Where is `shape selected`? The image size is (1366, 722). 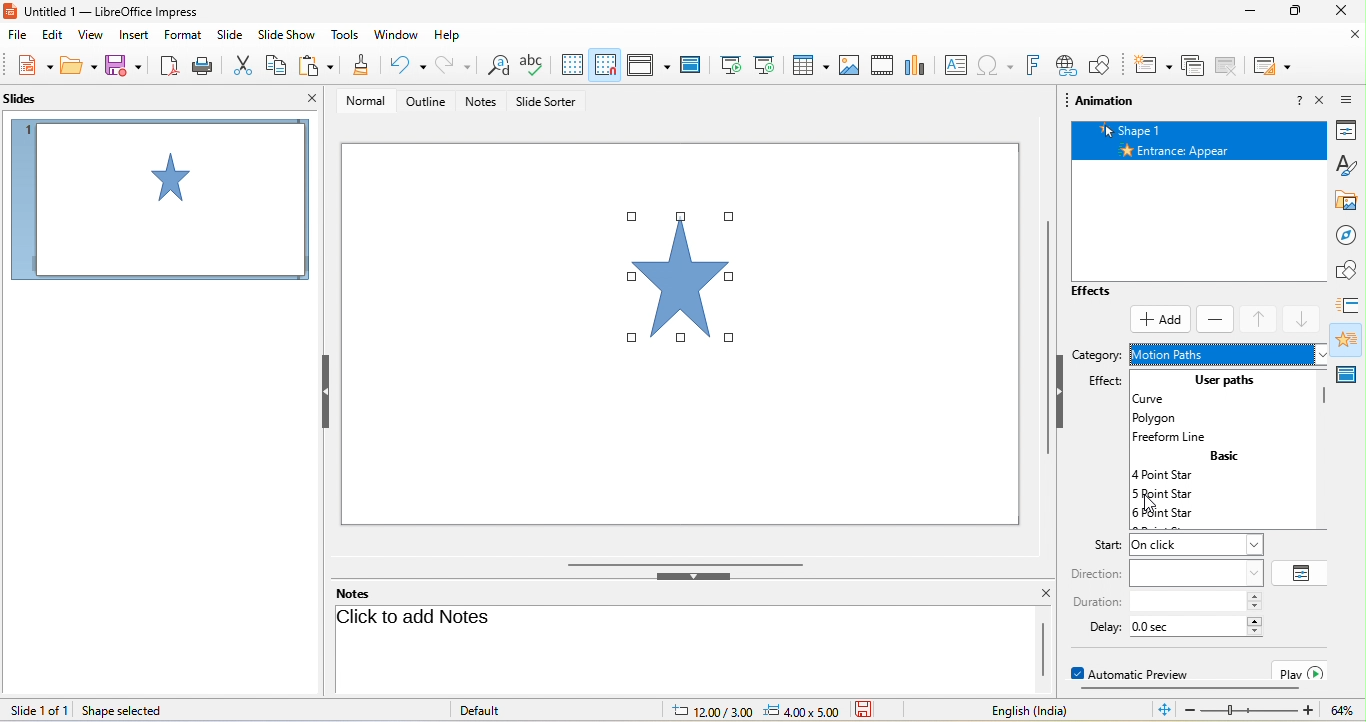 shape selected is located at coordinates (126, 711).